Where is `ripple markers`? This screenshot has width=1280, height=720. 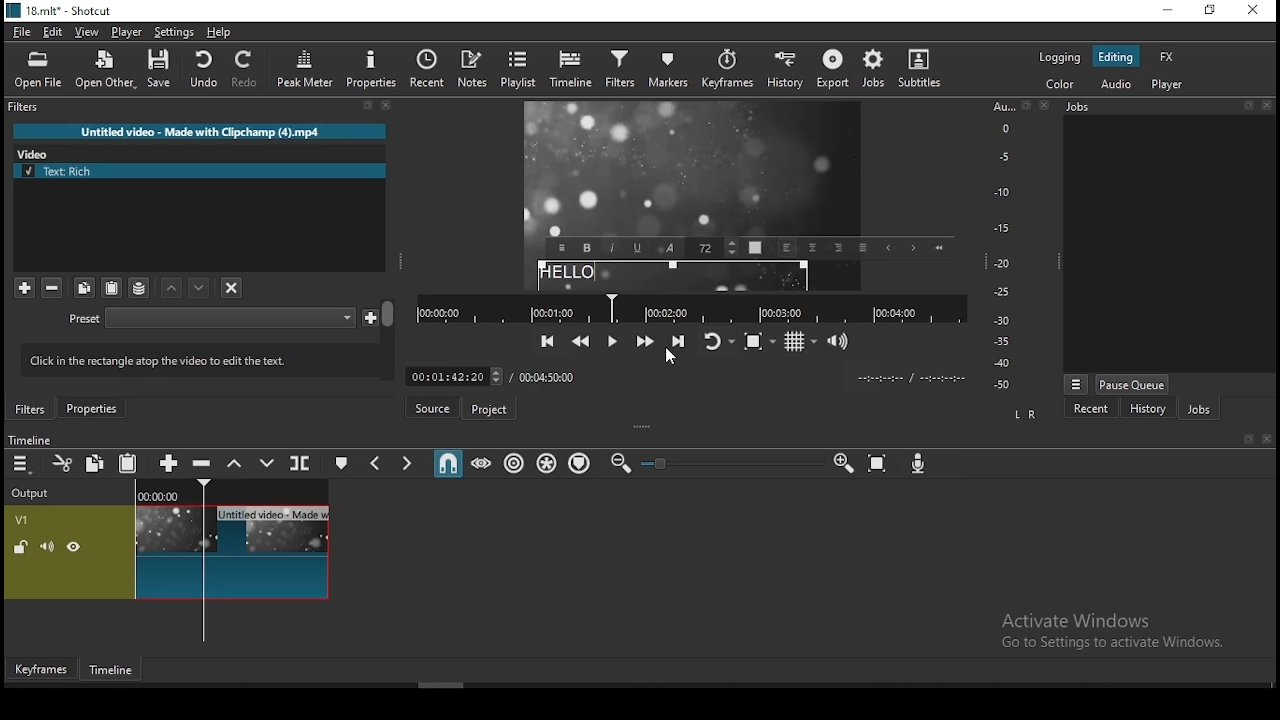 ripple markers is located at coordinates (582, 464).